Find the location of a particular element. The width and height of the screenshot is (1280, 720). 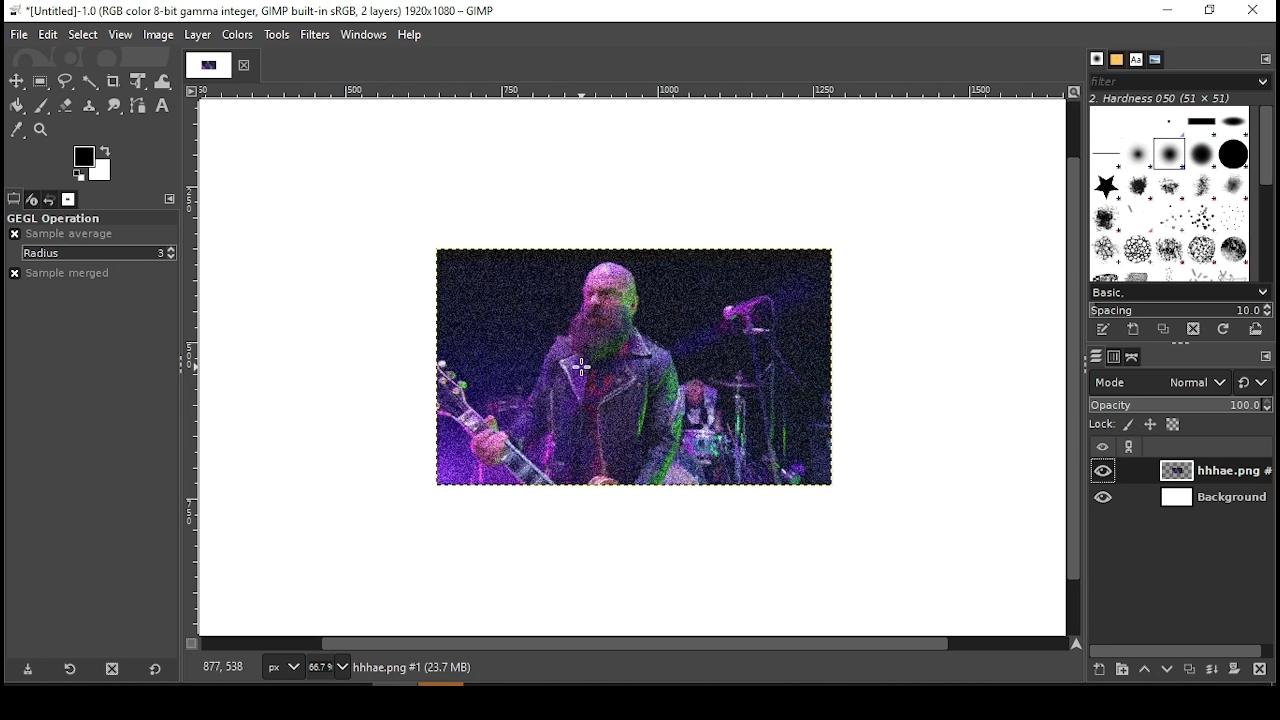

warp transform tool is located at coordinates (163, 80).